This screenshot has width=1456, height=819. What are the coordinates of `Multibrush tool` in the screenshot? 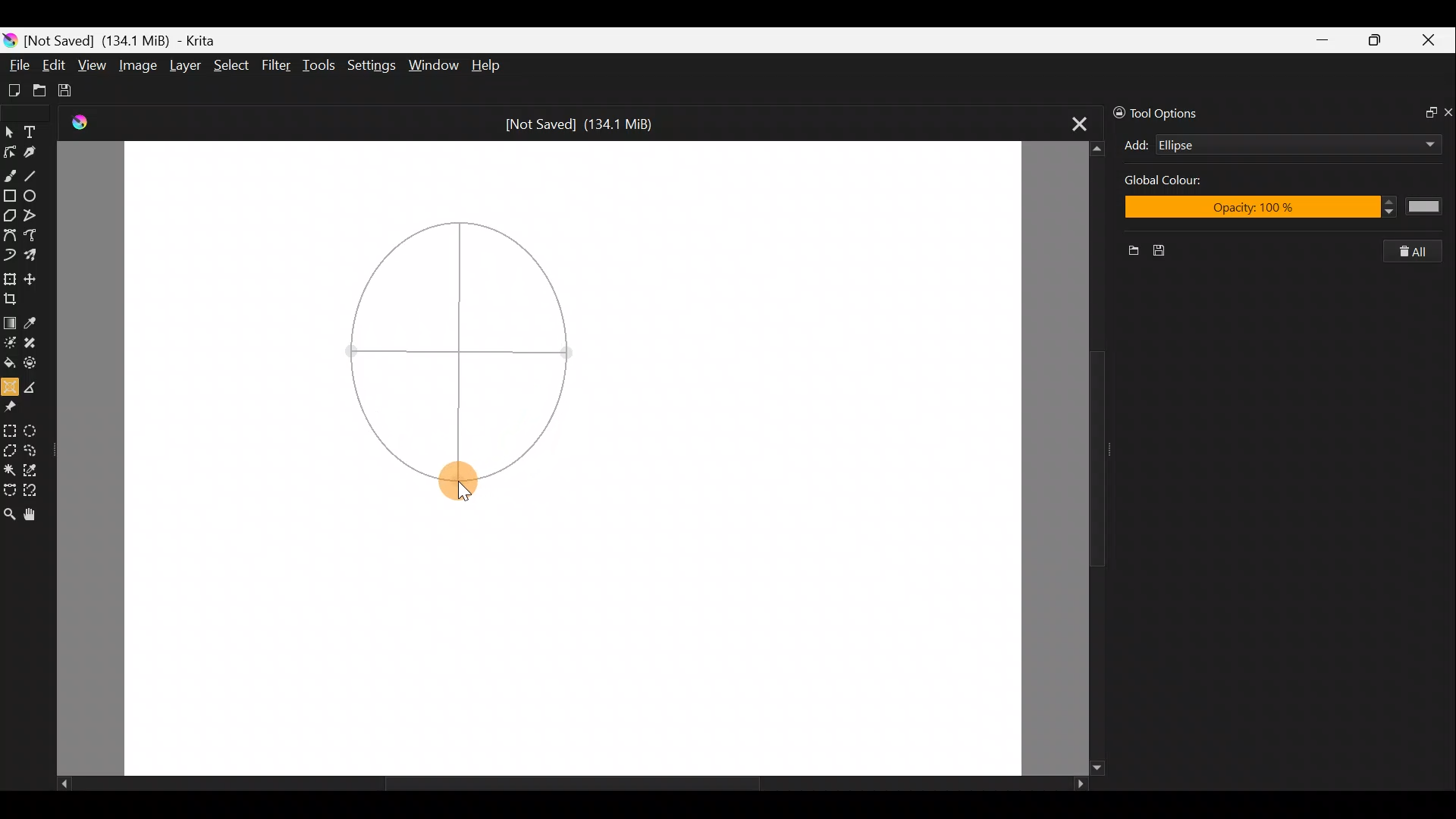 It's located at (33, 257).